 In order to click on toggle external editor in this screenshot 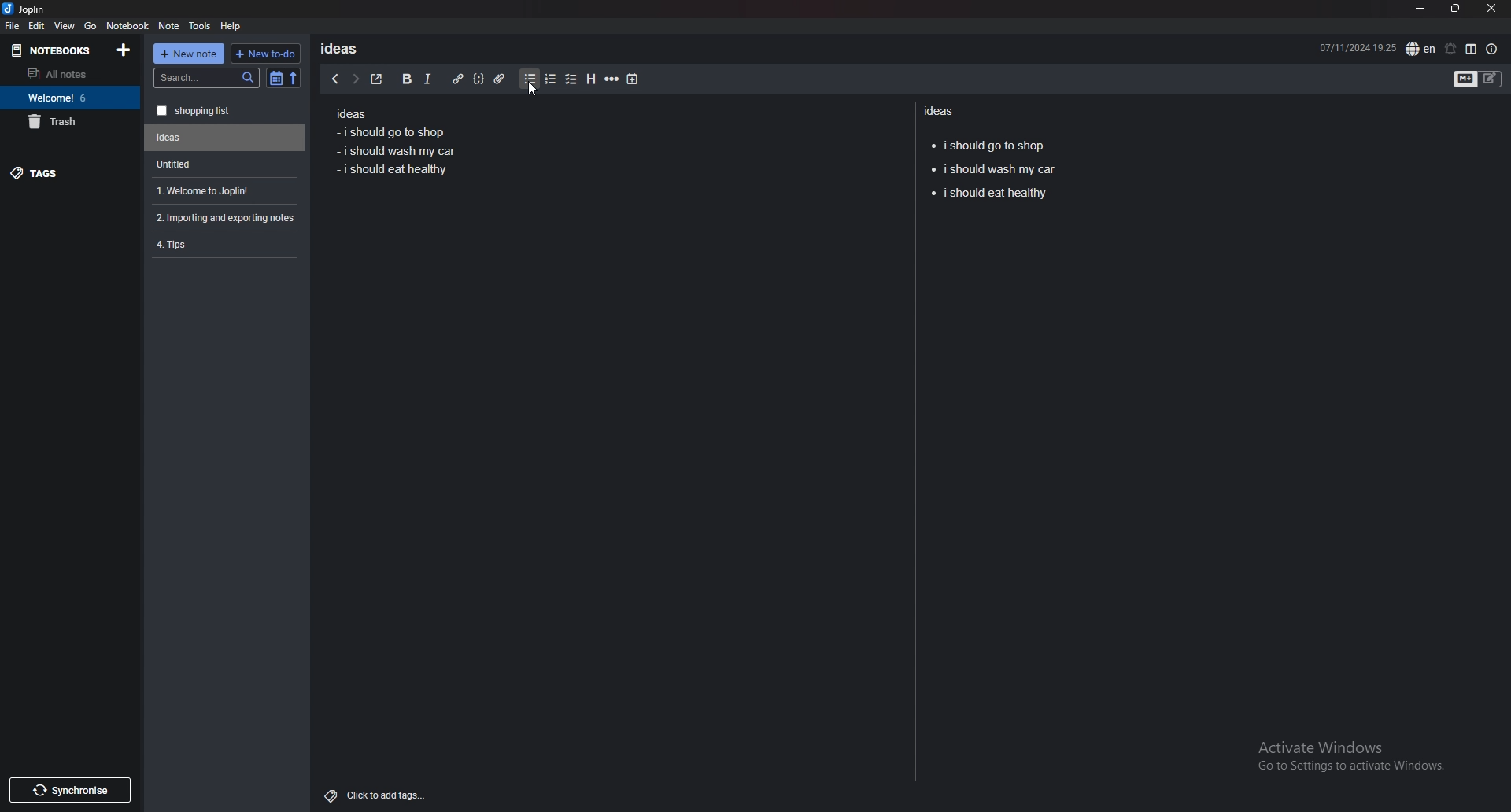, I will do `click(377, 79)`.